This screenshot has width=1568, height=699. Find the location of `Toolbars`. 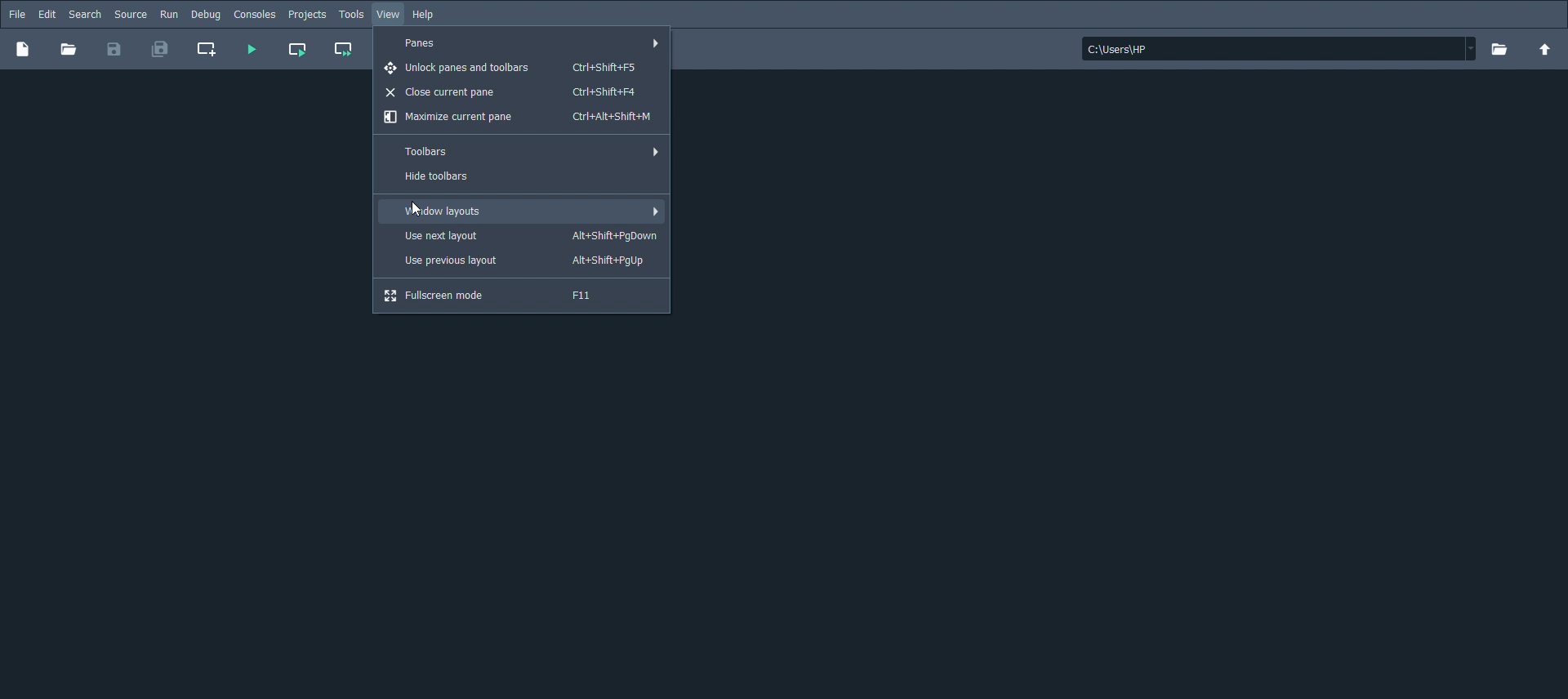

Toolbars is located at coordinates (528, 152).